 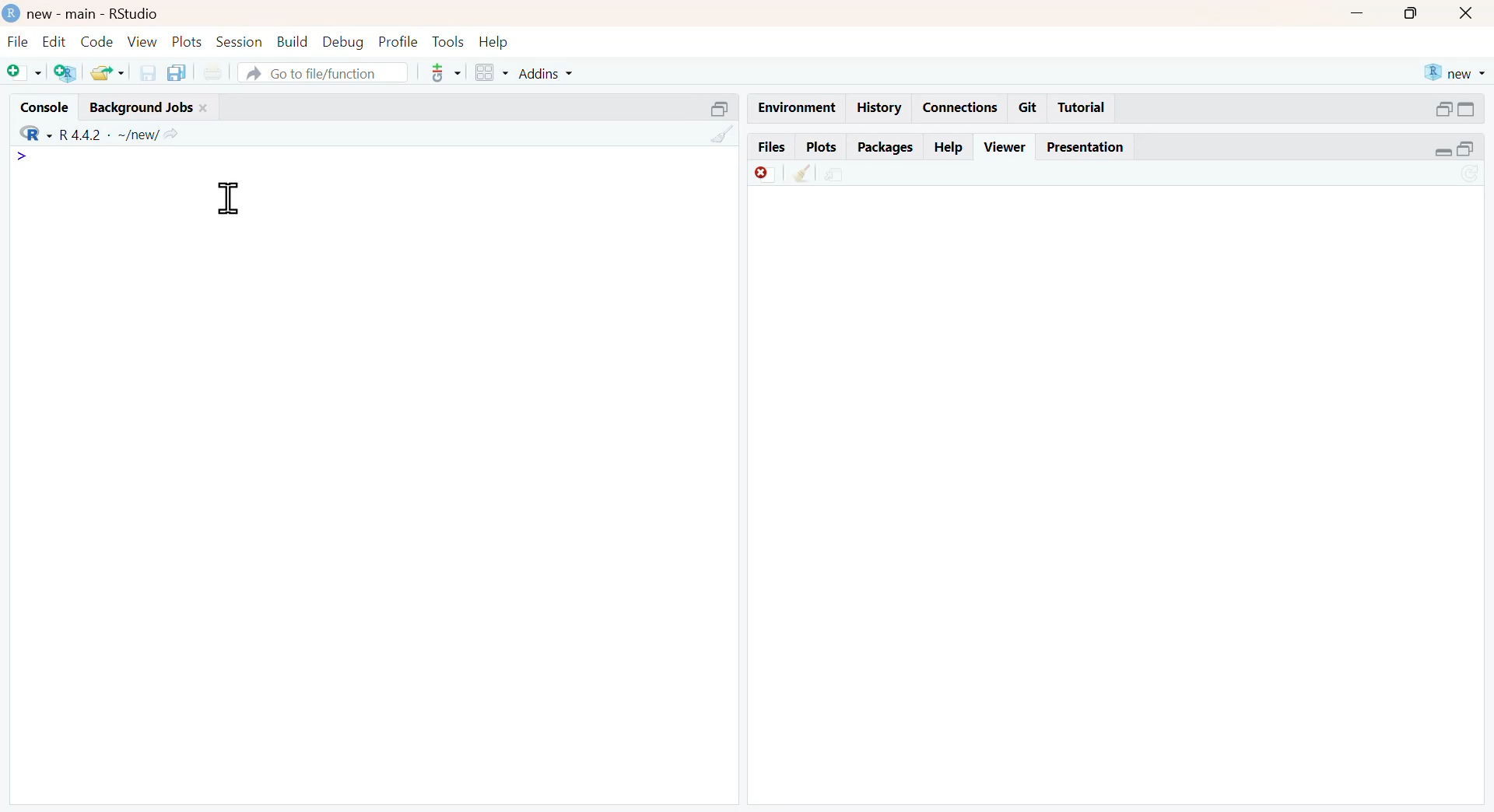 I want to click on expand/collapse , so click(x=1442, y=152).